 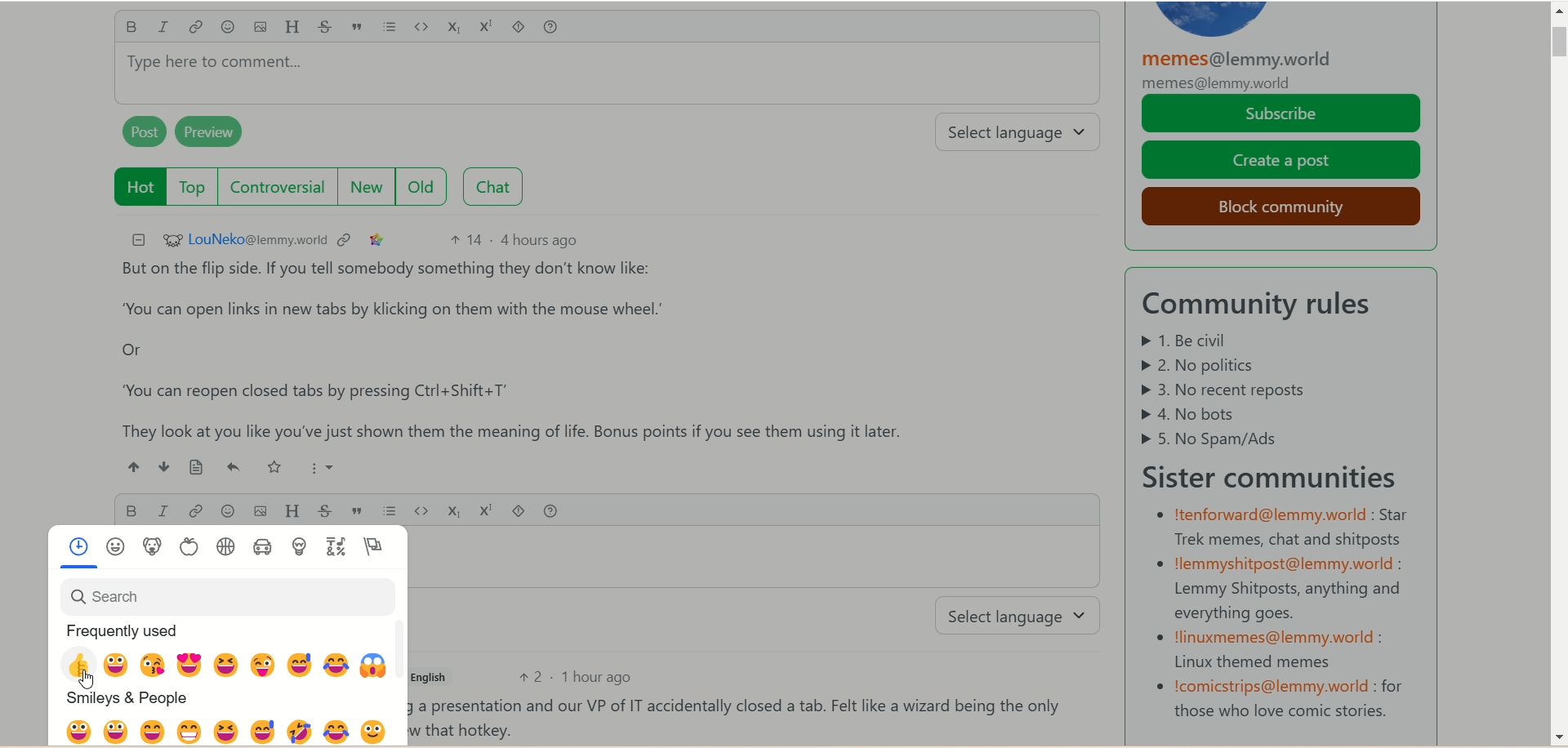 I want to click on hot, so click(x=133, y=186).